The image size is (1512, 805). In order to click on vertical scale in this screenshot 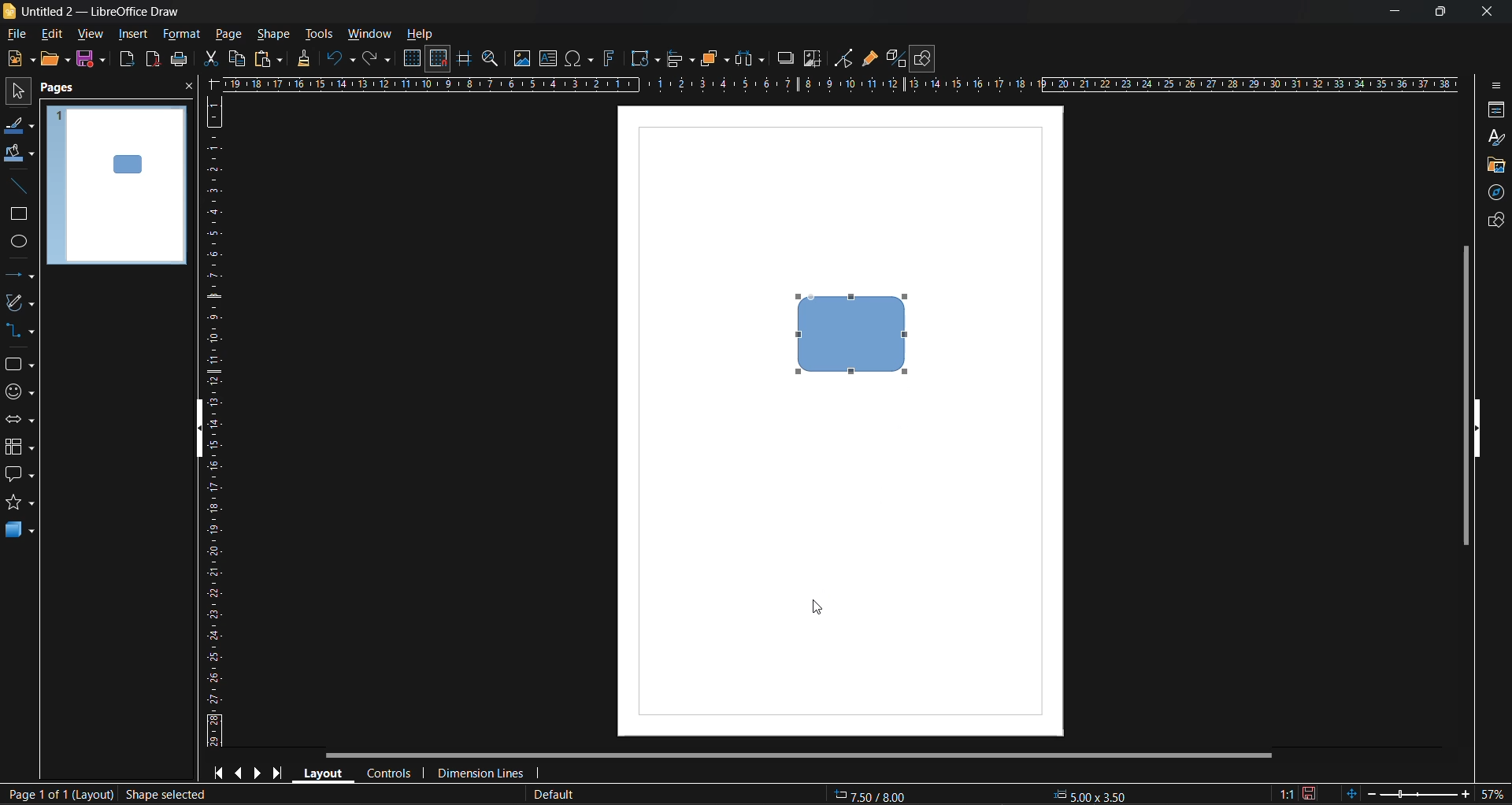, I will do `click(213, 421)`.